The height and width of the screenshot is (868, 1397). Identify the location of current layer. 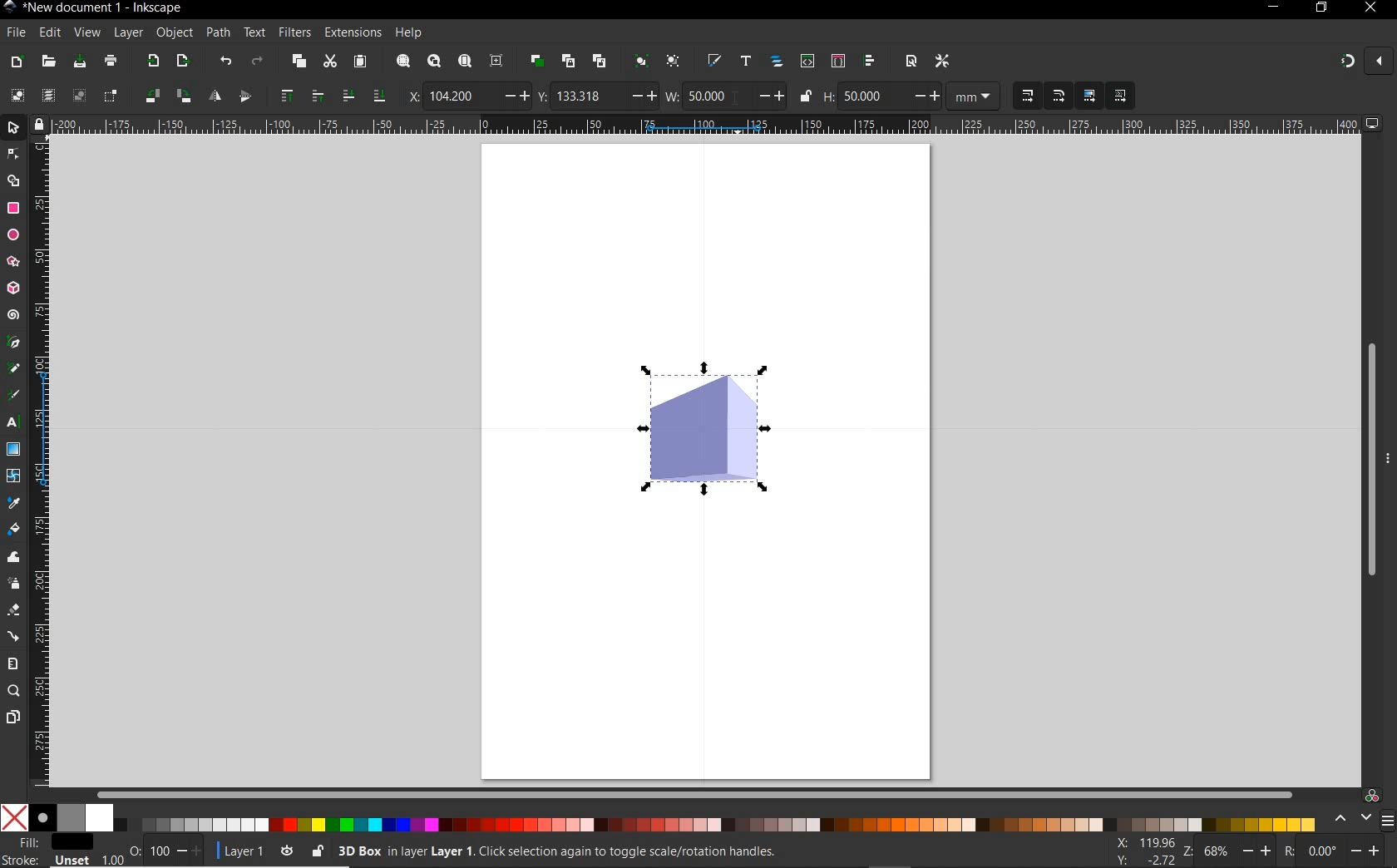
(244, 851).